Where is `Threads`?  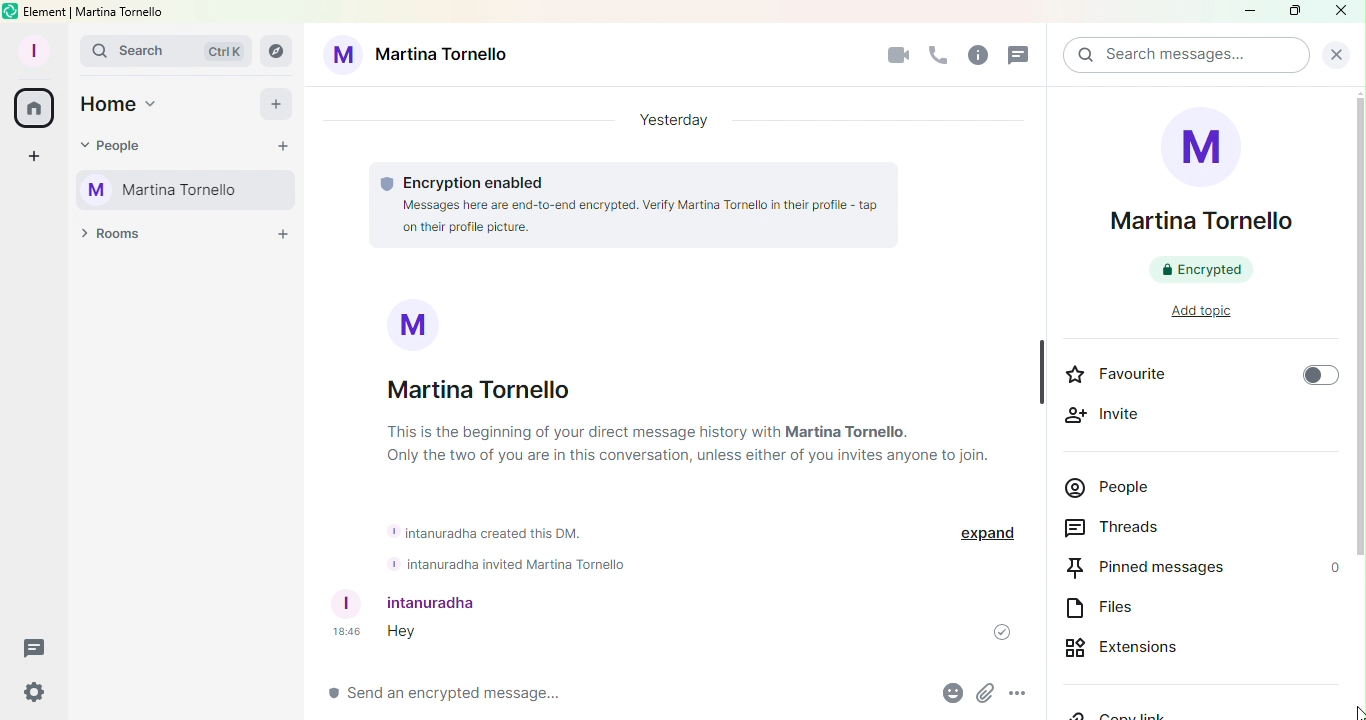
Threads is located at coordinates (1105, 525).